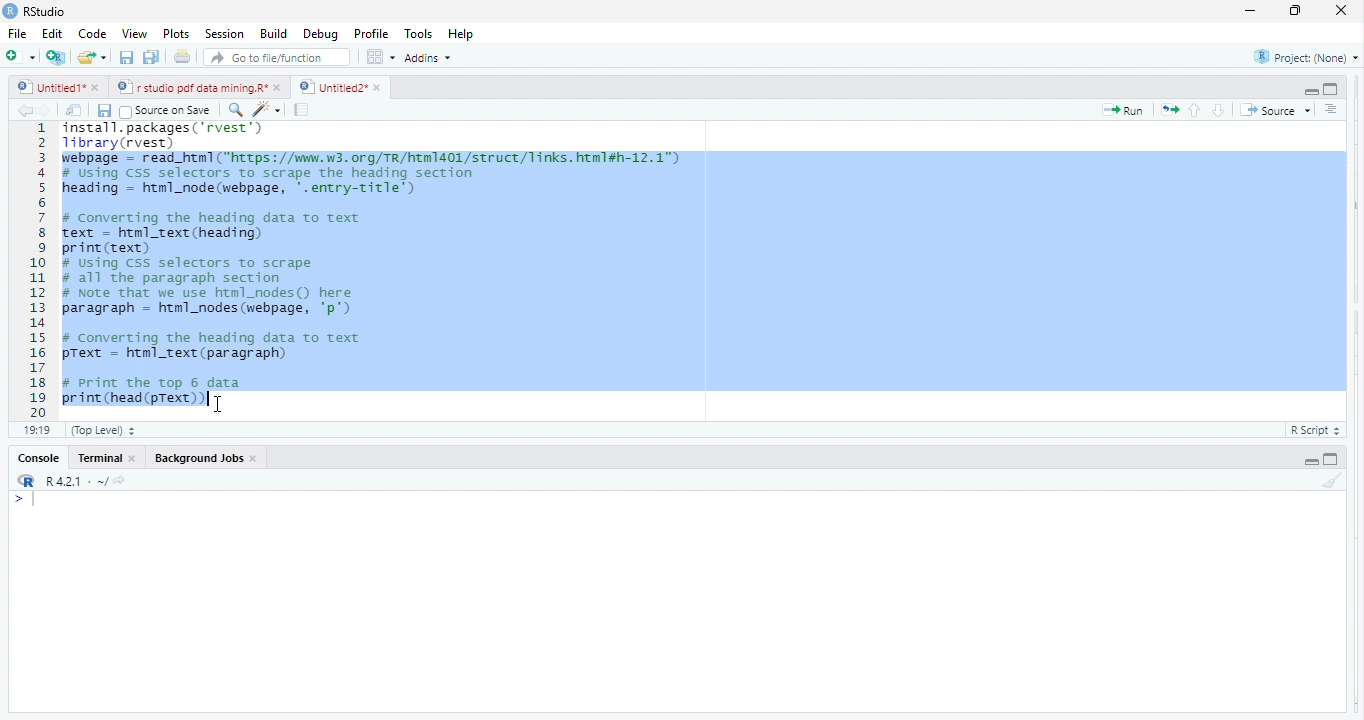 This screenshot has width=1364, height=720. I want to click on go to previous section/chunk, so click(1196, 111).